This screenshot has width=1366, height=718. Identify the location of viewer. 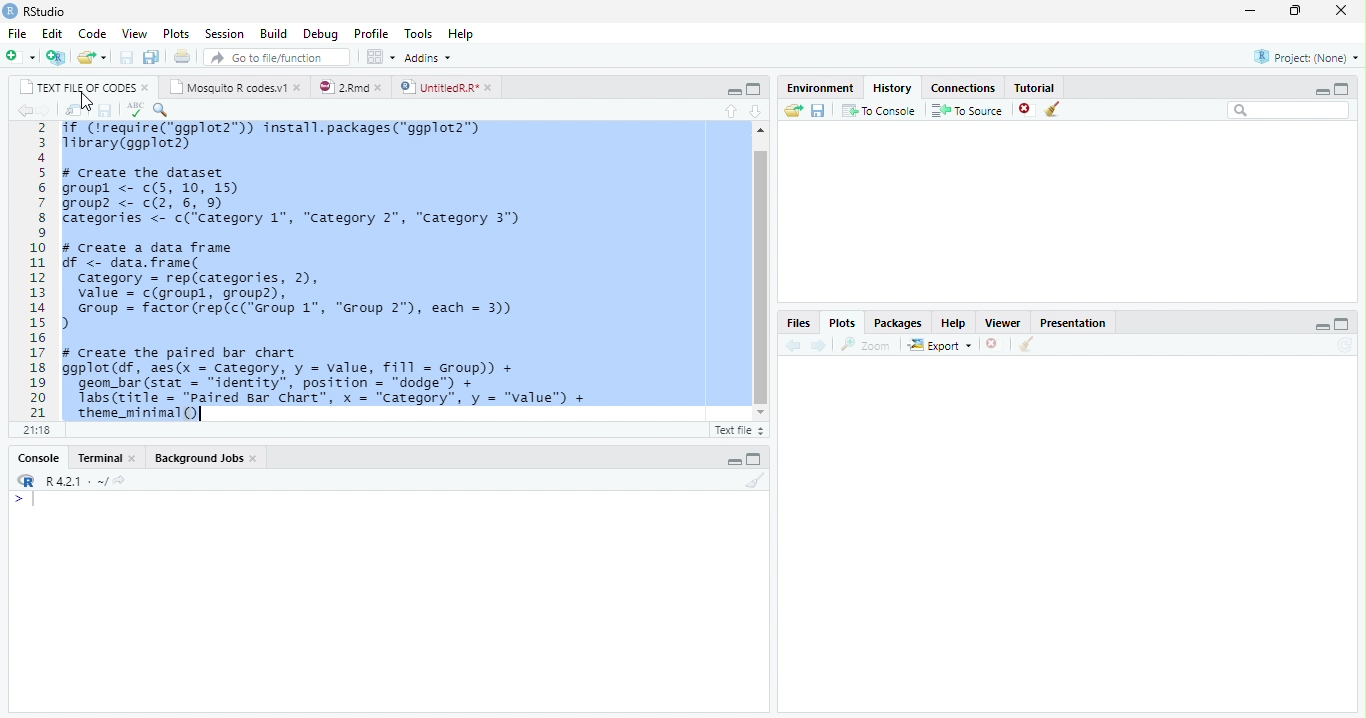
(1003, 322).